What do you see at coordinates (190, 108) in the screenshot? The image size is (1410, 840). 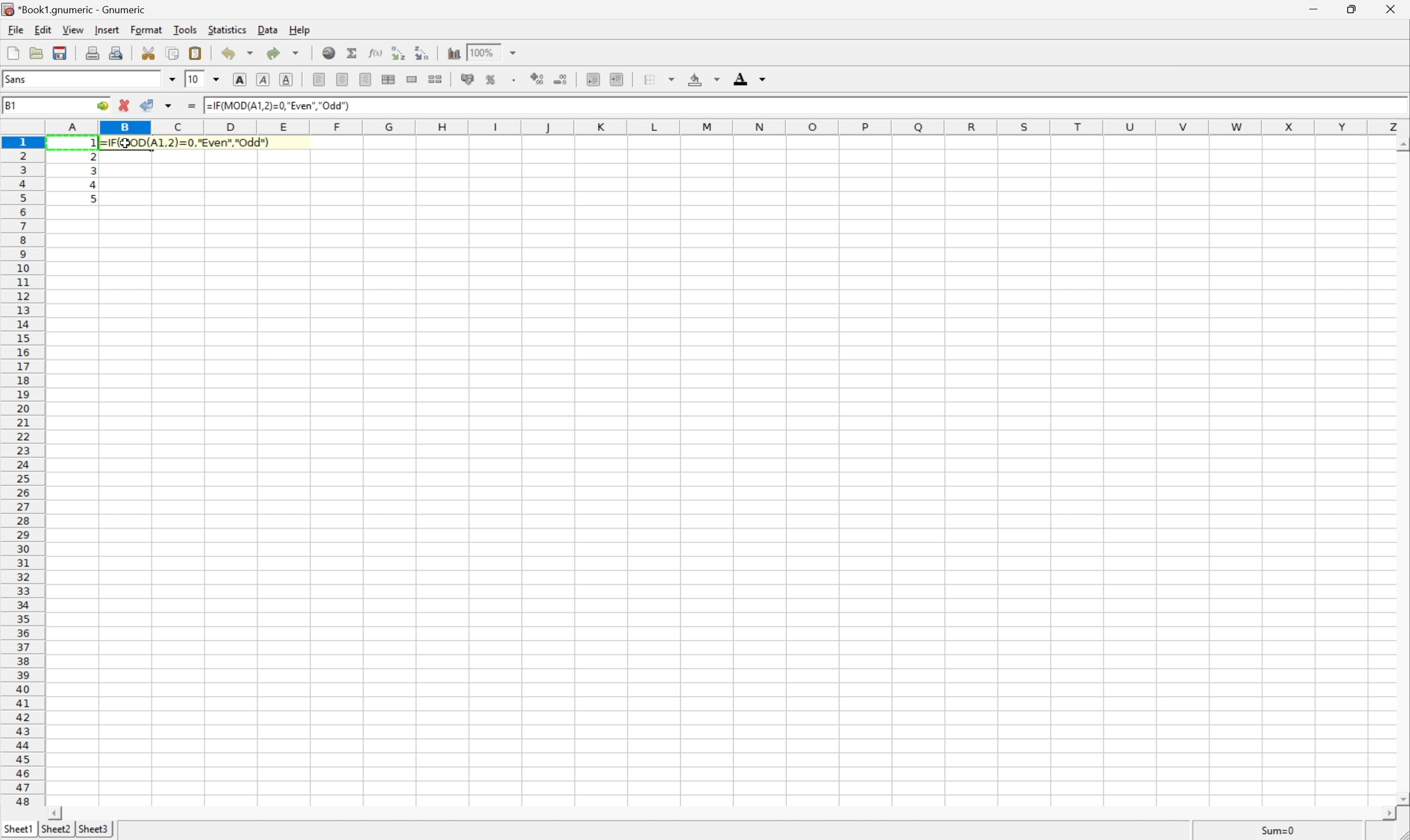 I see `Enter formula` at bounding box center [190, 108].